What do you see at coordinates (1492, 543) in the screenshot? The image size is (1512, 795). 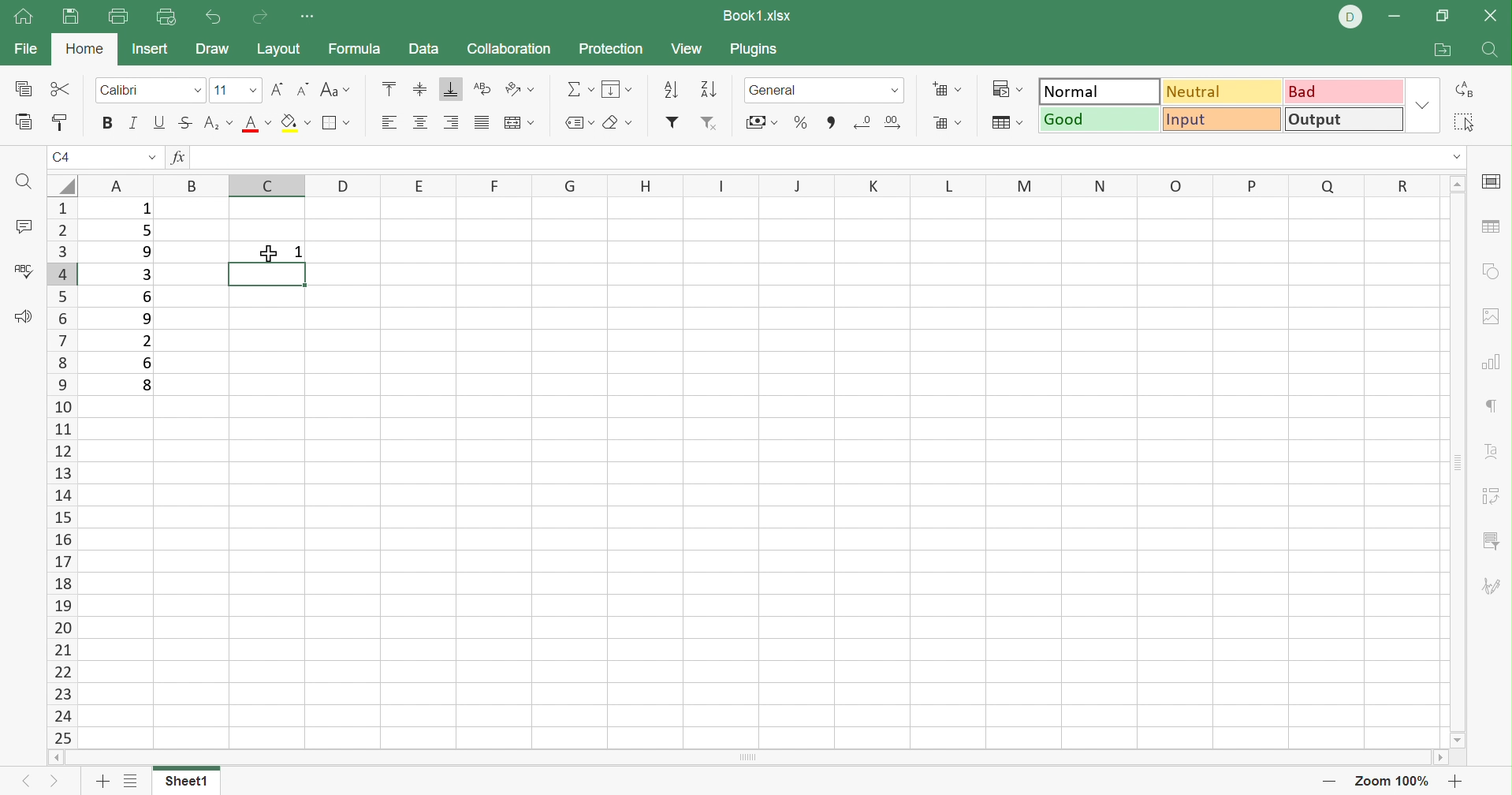 I see `Slicer Settings` at bounding box center [1492, 543].